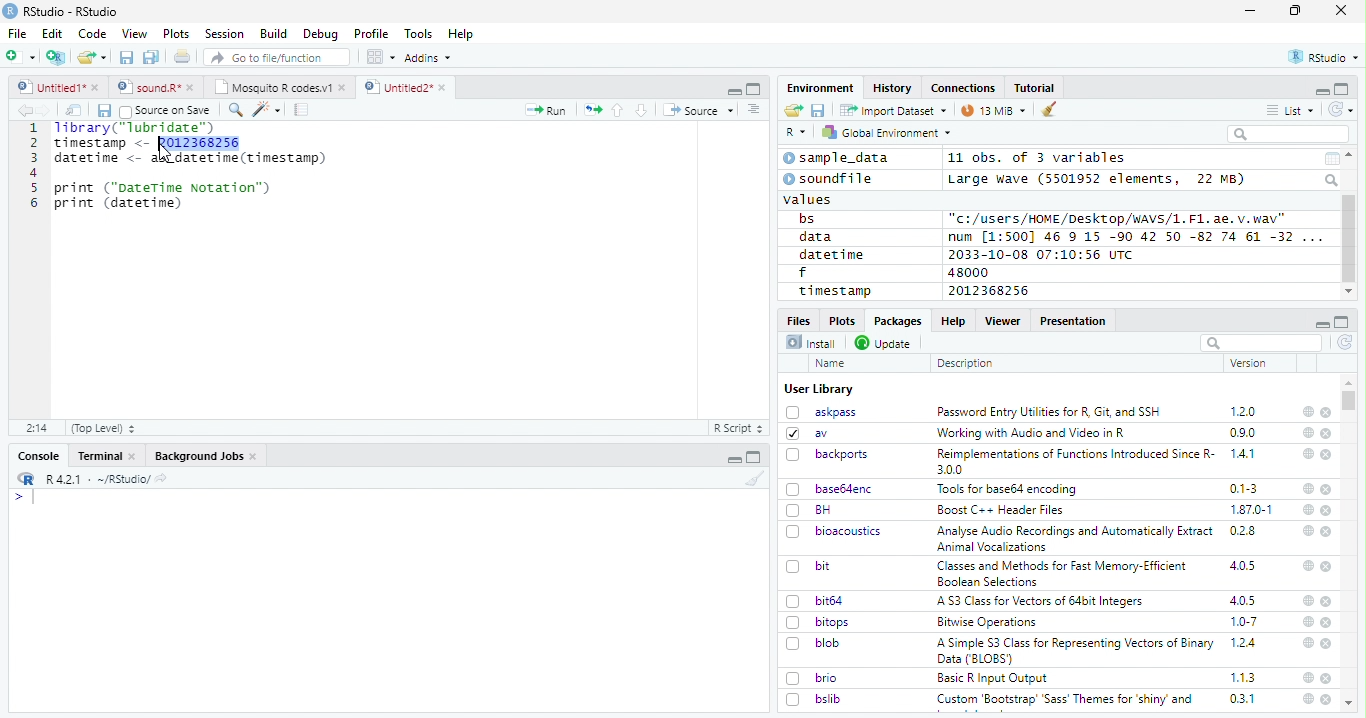 This screenshot has height=718, width=1366. Describe the element at coordinates (807, 432) in the screenshot. I see `av` at that location.